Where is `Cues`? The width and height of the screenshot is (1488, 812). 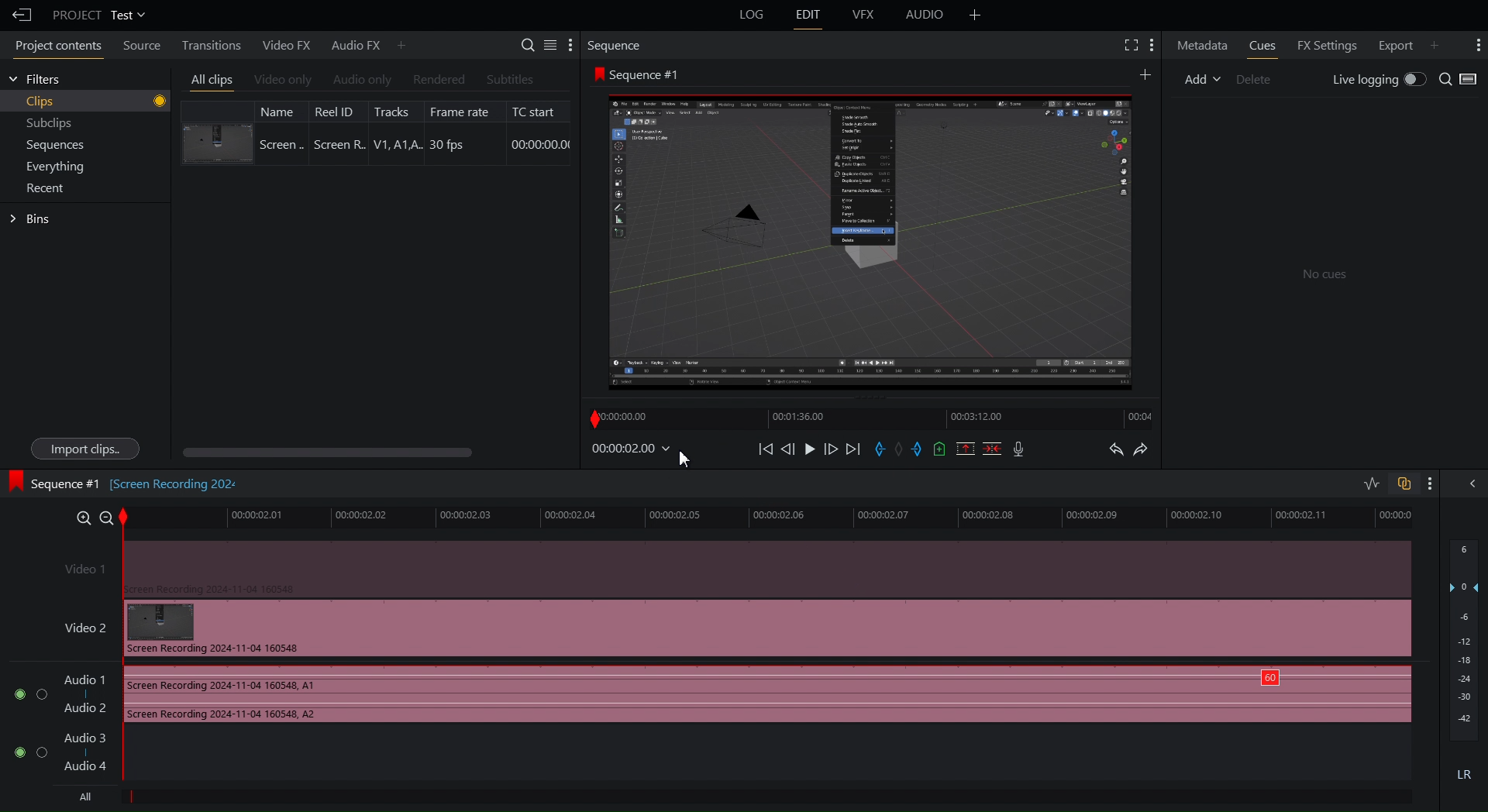 Cues is located at coordinates (1265, 45).